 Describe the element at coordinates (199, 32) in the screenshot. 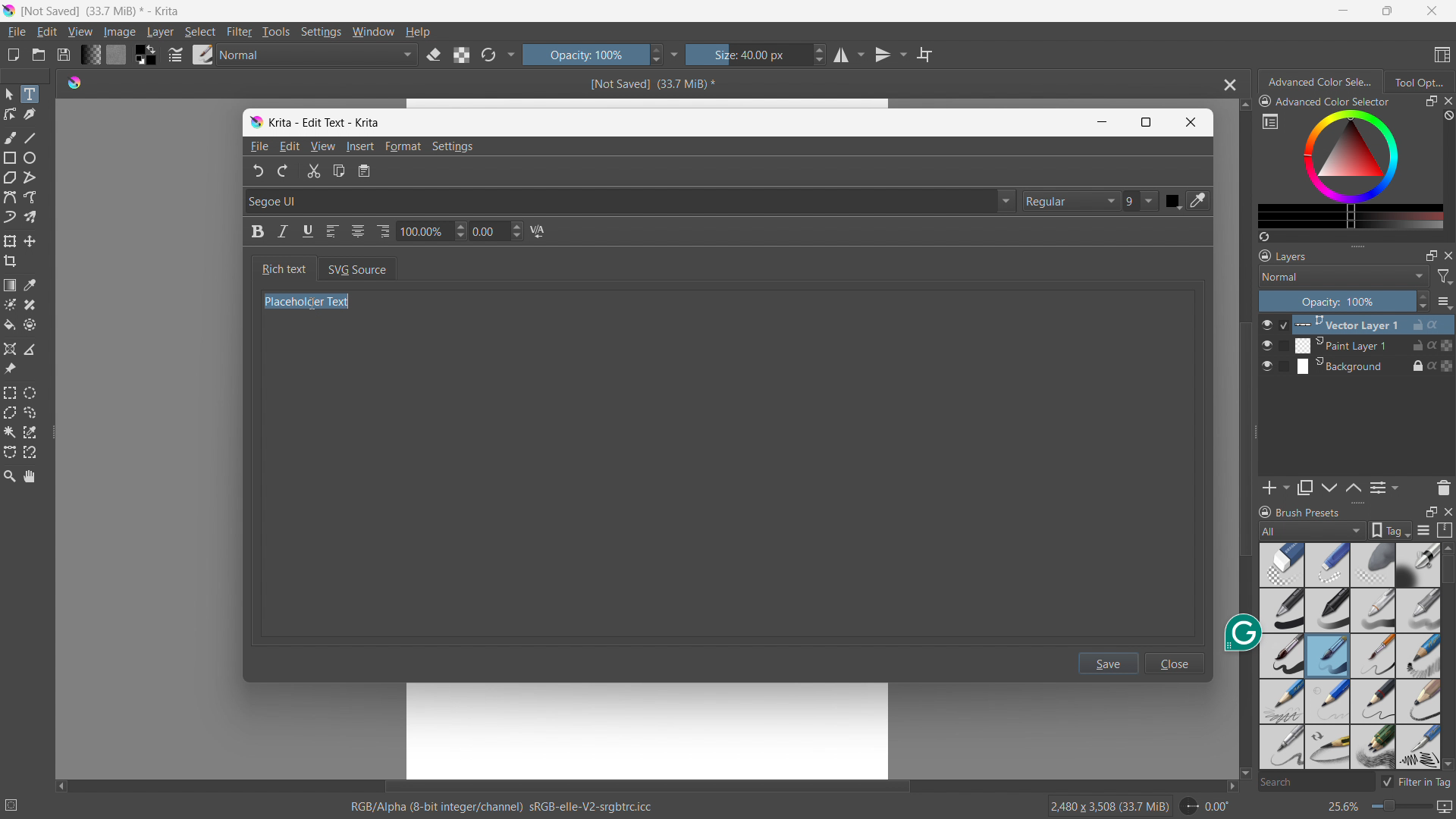

I see `select` at that location.